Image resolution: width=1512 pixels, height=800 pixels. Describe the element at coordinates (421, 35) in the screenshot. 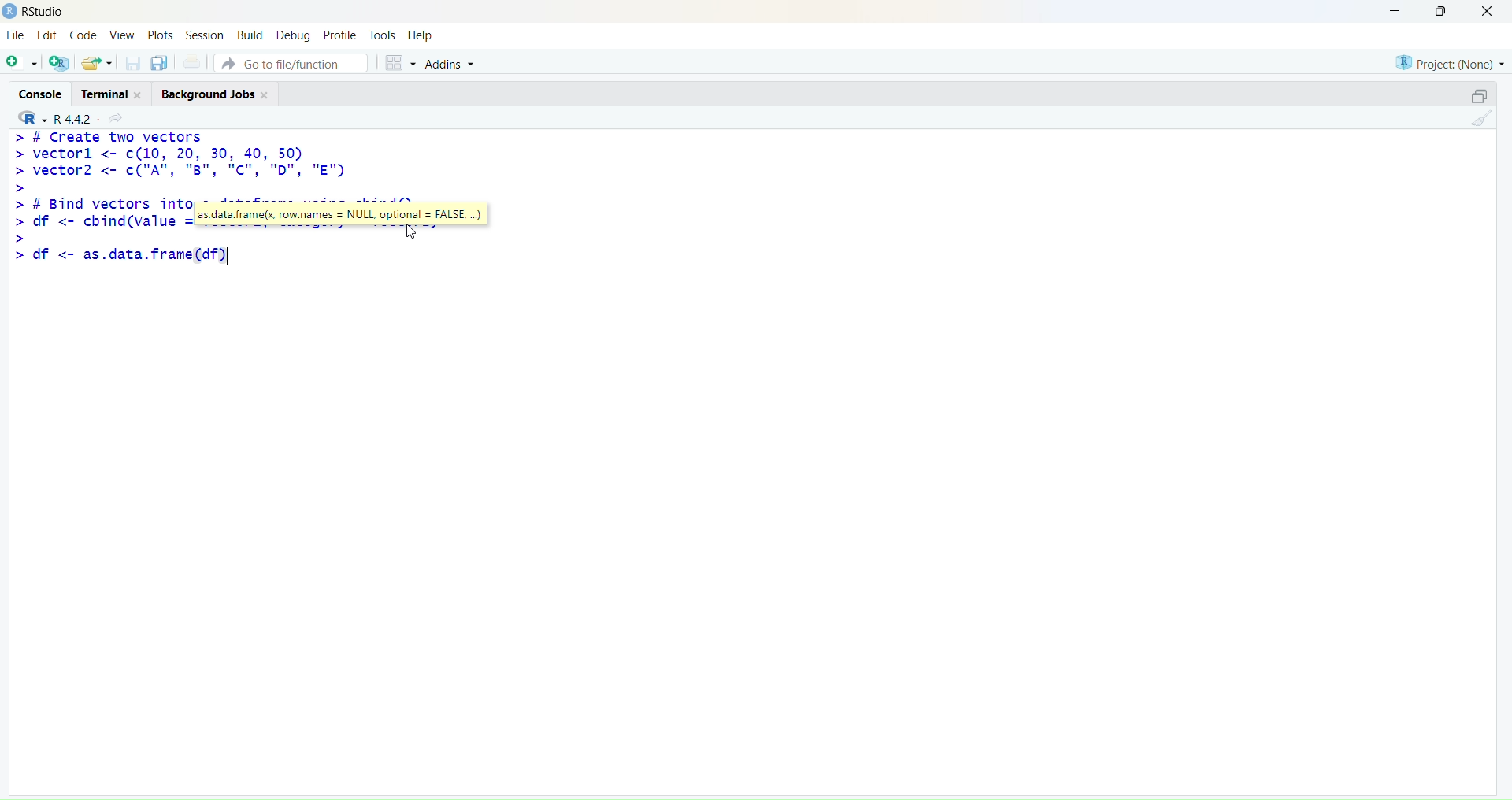

I see `Help` at that location.